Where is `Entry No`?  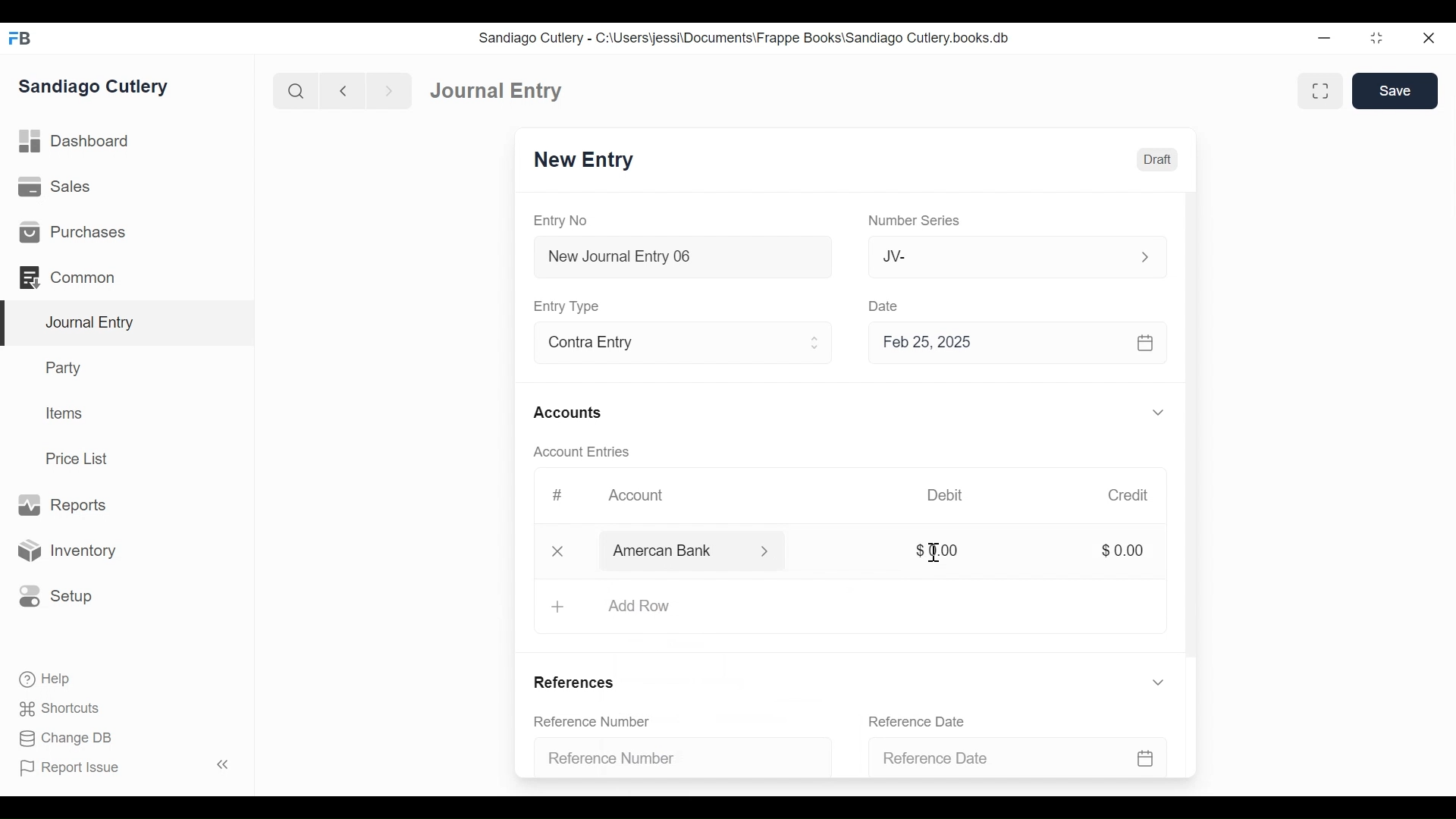
Entry No is located at coordinates (561, 221).